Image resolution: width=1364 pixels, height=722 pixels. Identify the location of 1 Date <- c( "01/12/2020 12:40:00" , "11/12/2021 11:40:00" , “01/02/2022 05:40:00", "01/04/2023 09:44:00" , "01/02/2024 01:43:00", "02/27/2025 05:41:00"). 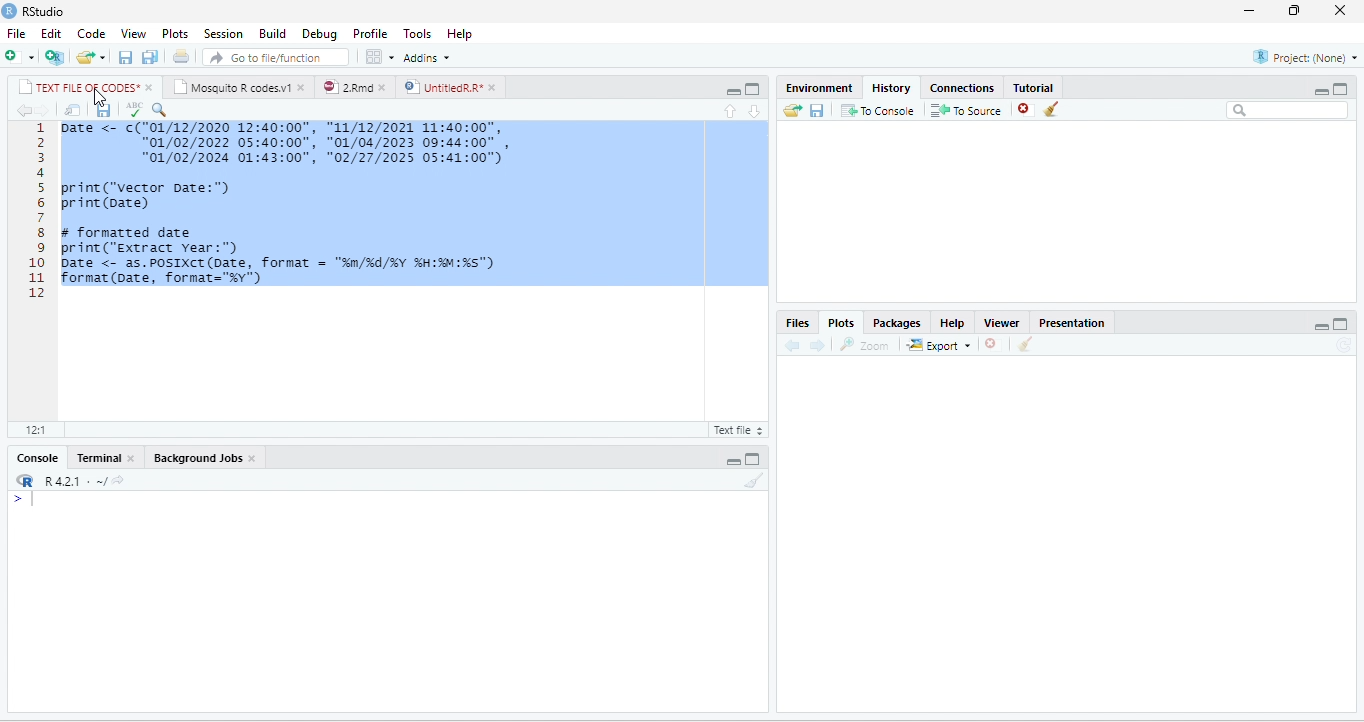
(290, 143).